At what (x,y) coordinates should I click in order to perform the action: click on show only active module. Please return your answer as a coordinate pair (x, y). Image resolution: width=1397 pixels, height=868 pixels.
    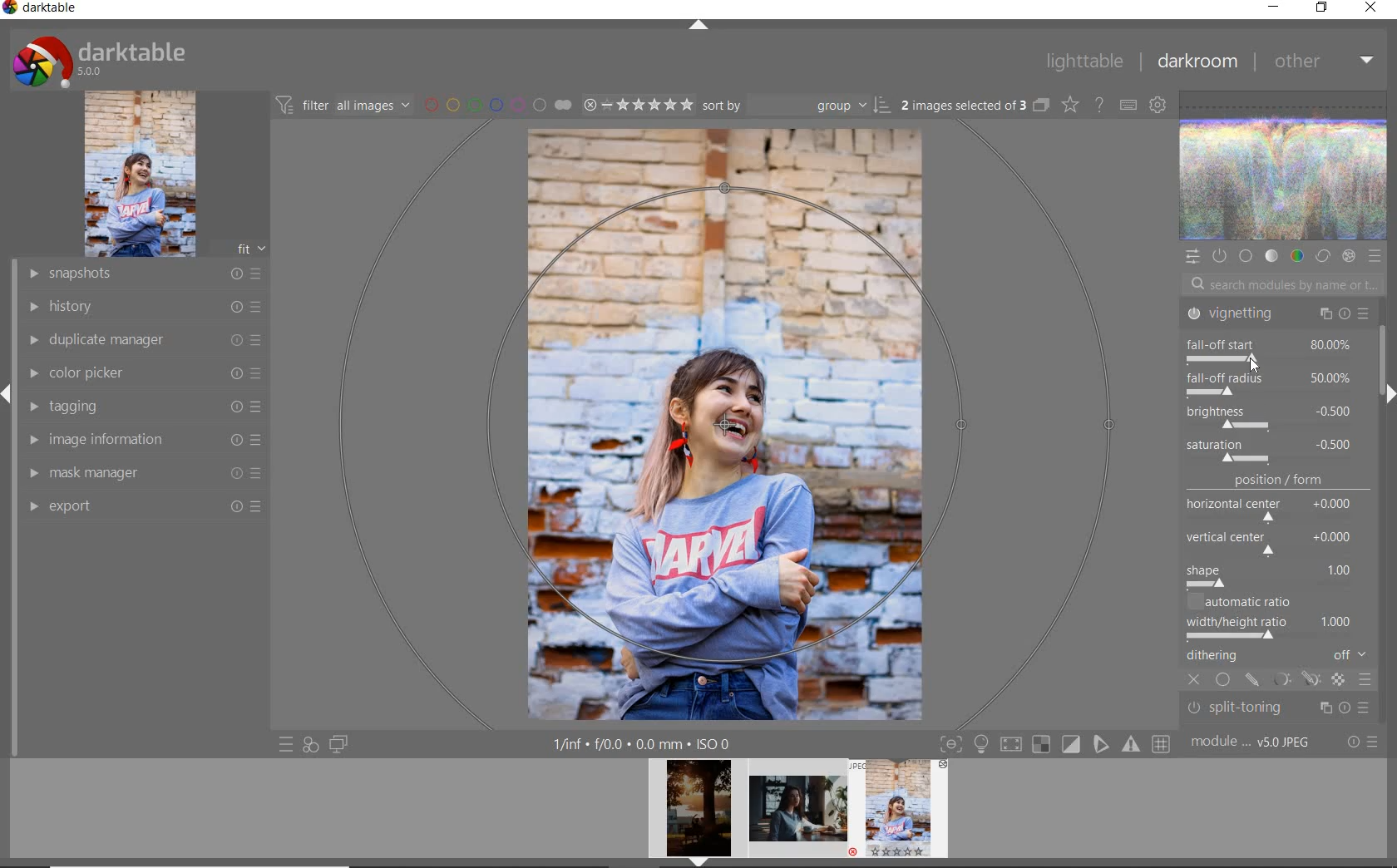
    Looking at the image, I should click on (1218, 256).